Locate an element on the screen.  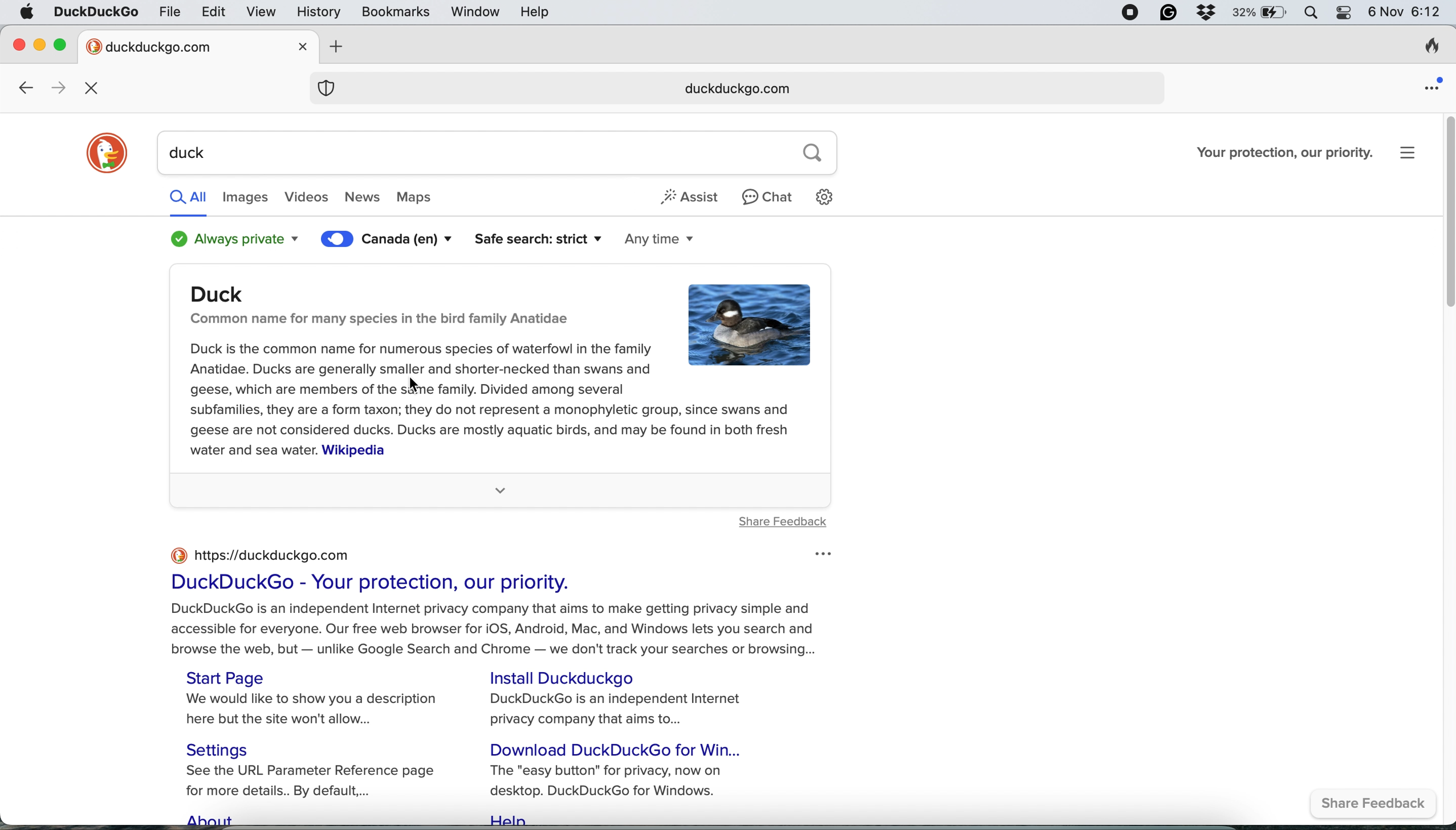
duck is located at coordinates (469, 153).